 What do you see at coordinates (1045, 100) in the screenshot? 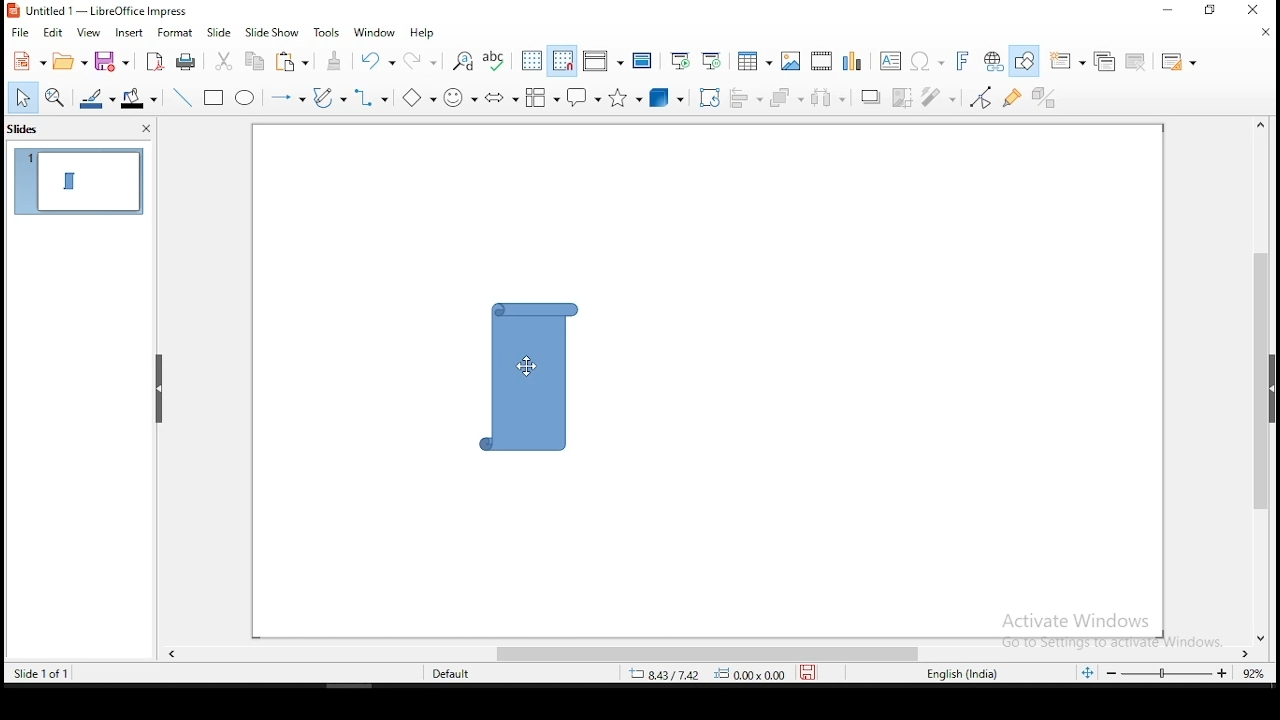
I see `toggle extrusion` at bounding box center [1045, 100].